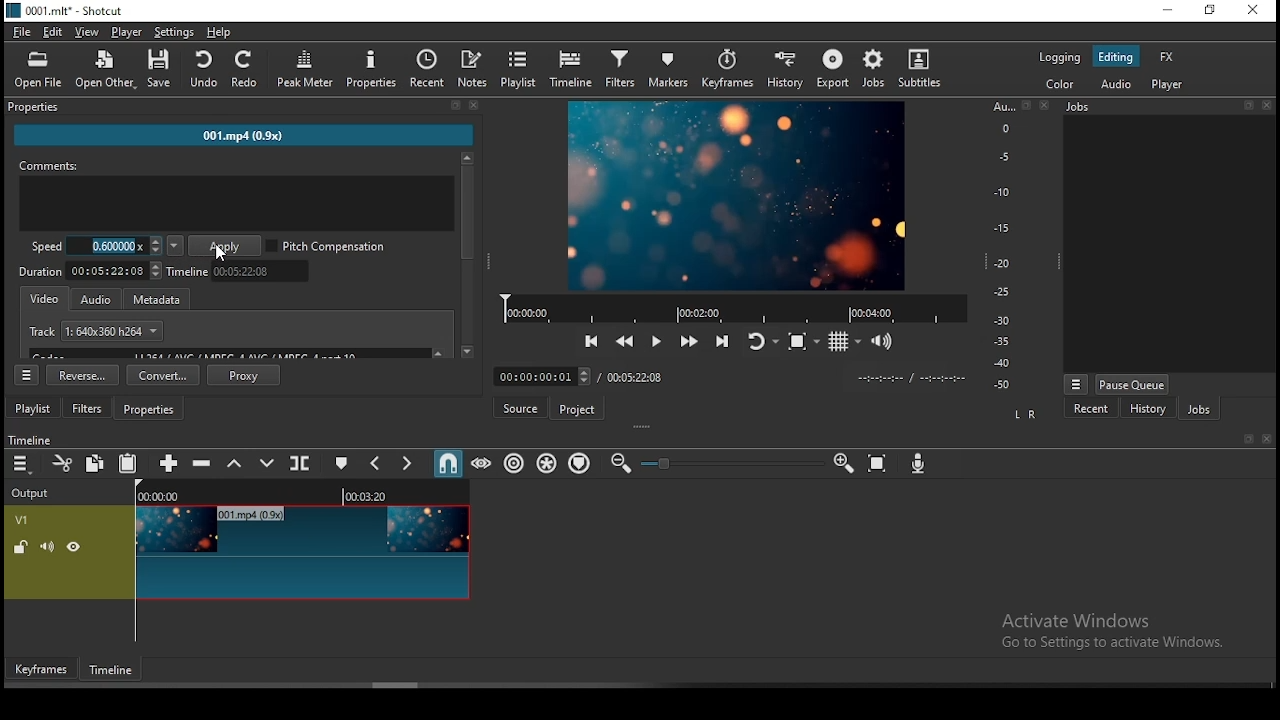 The image size is (1280, 720). I want to click on file, so click(23, 32).